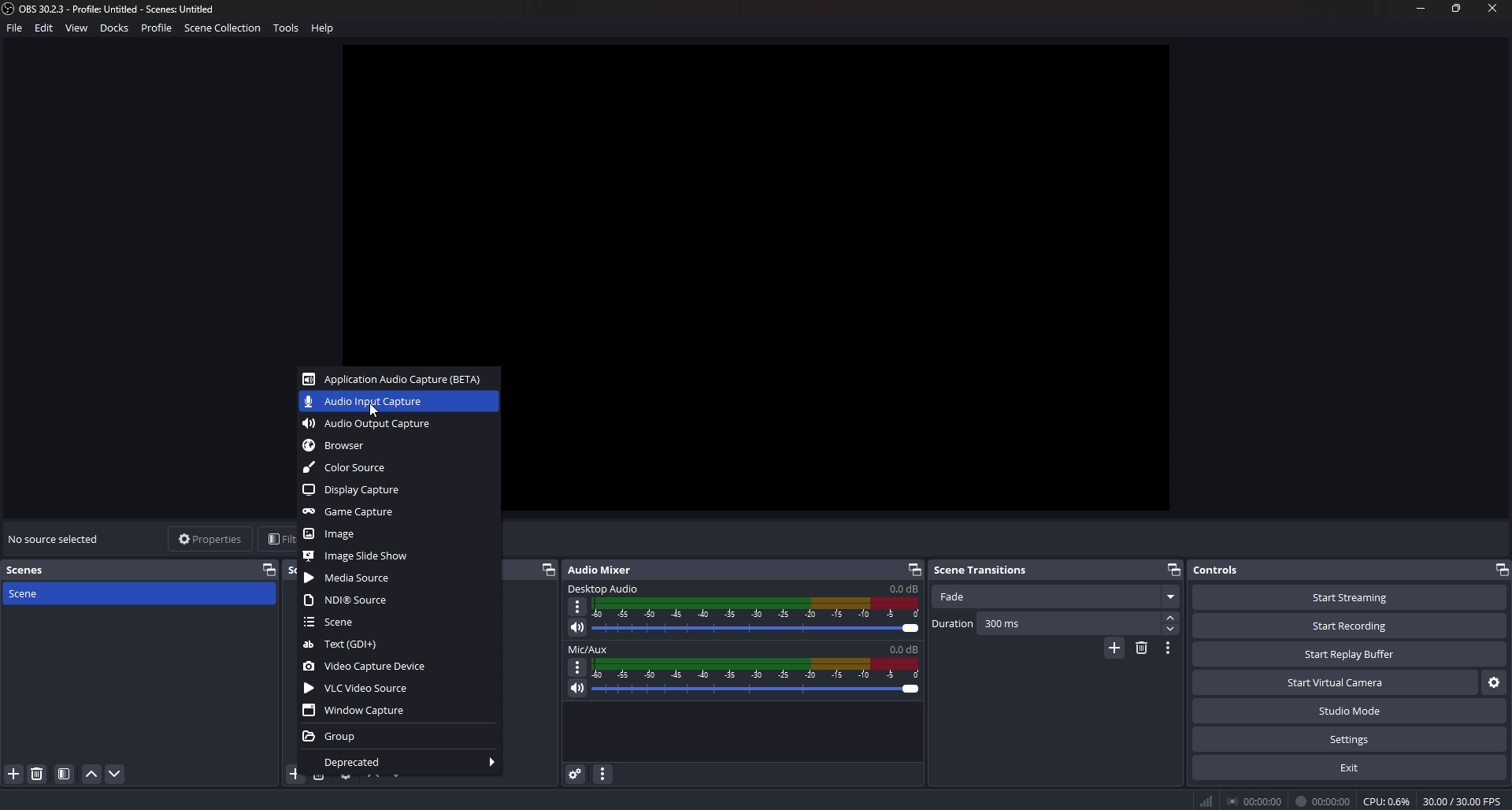 This screenshot has width=1512, height=810. I want to click on pop out, so click(1174, 568).